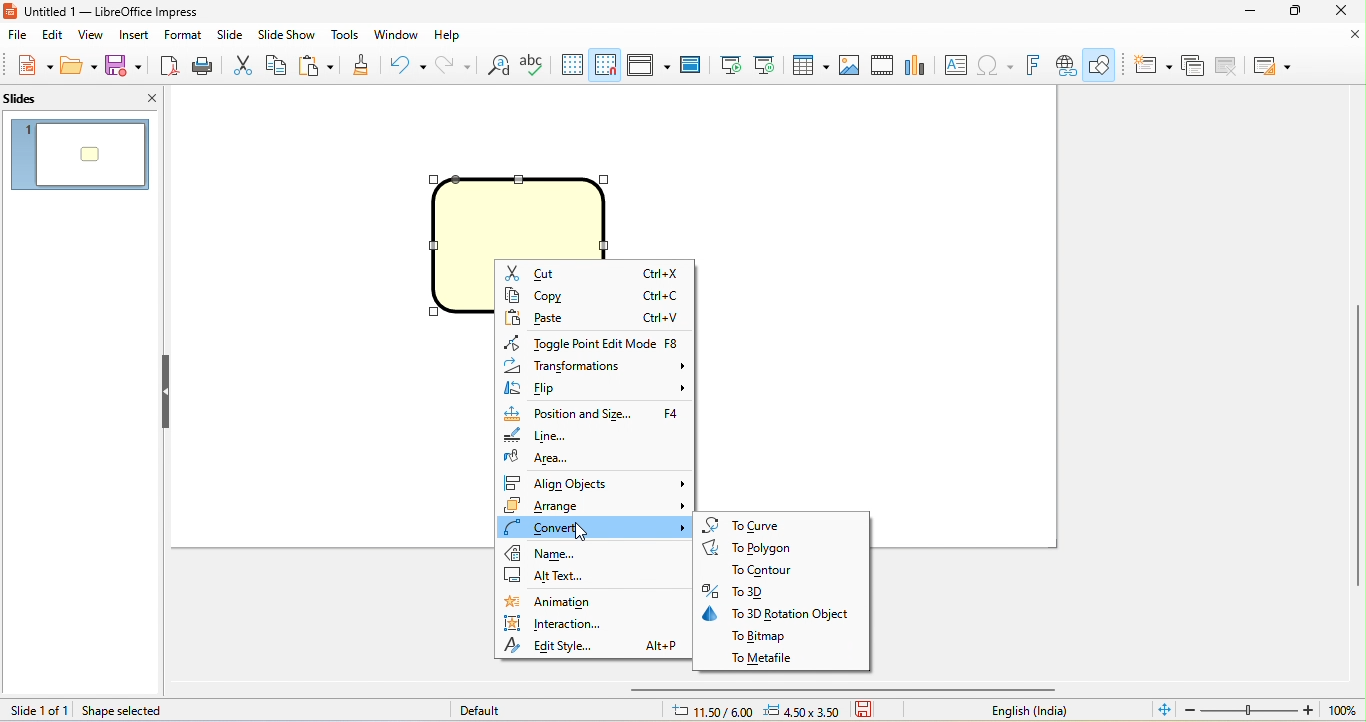  What do you see at coordinates (695, 65) in the screenshot?
I see `master slide` at bounding box center [695, 65].